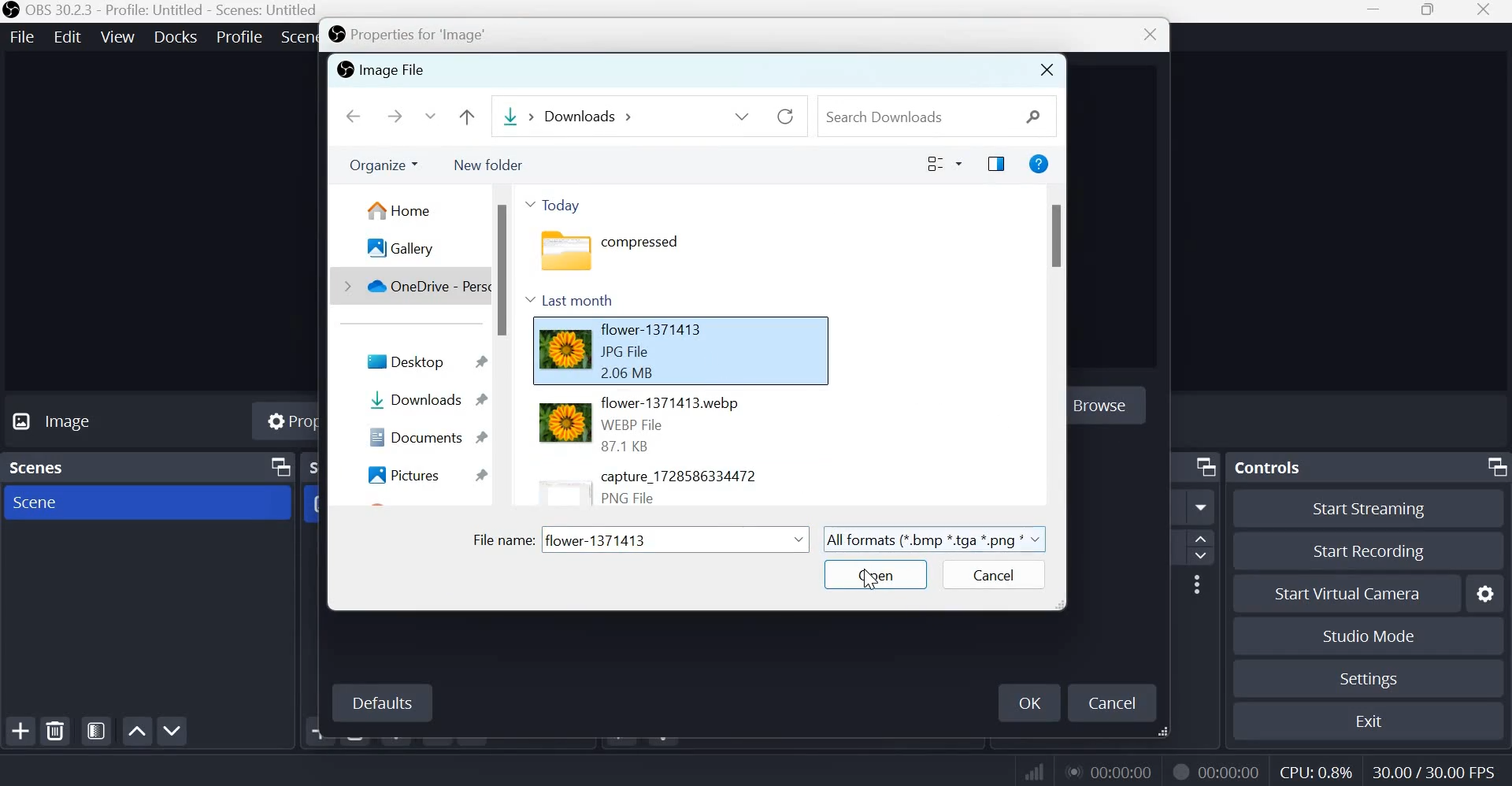 This screenshot has height=786, width=1512. Describe the element at coordinates (160, 10) in the screenshot. I see `OBS 30.2.3 - Profile: Untitled - Scenes: Untitled` at that location.